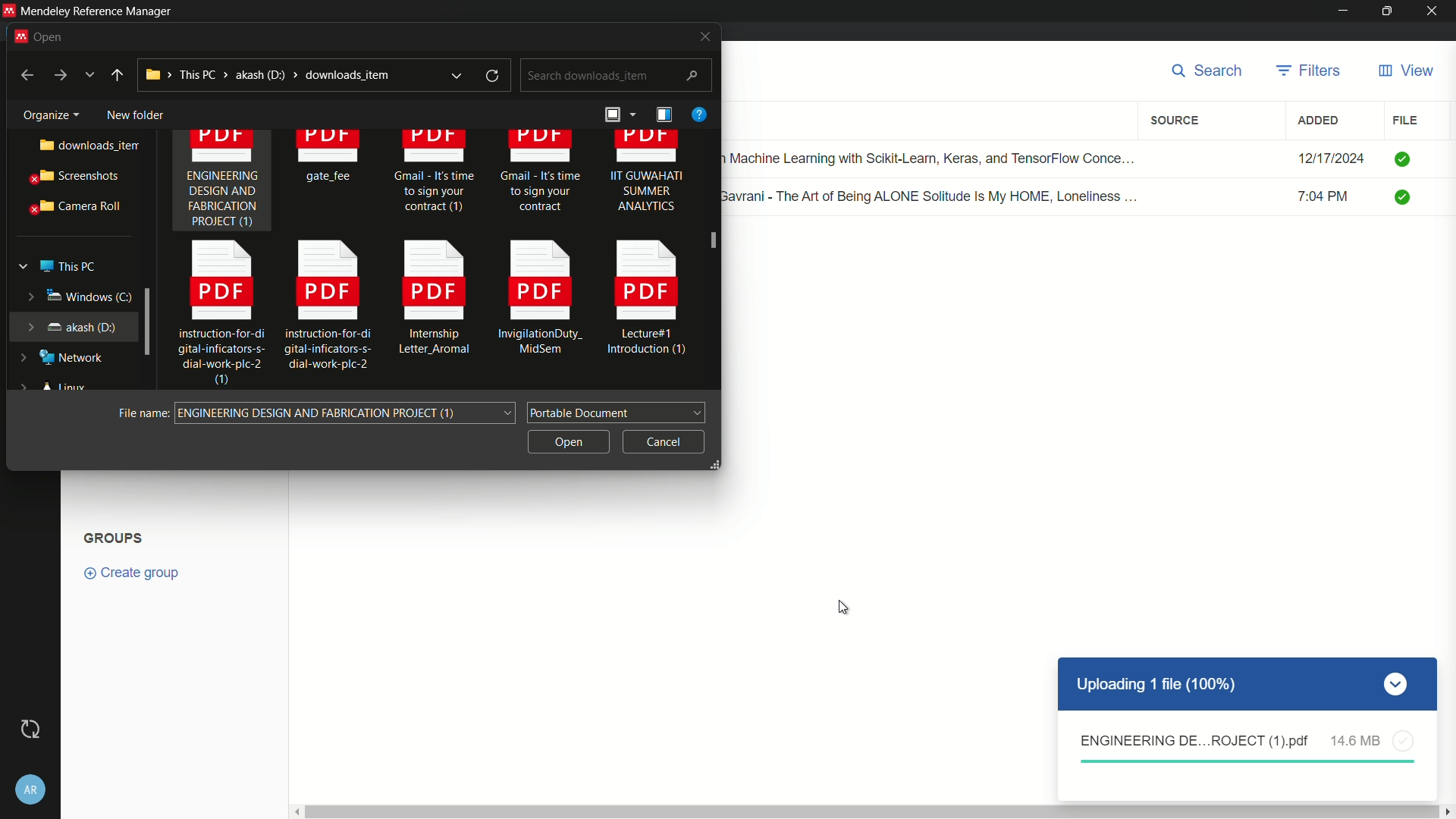  Describe the element at coordinates (72, 207) in the screenshot. I see `camera roll` at that location.